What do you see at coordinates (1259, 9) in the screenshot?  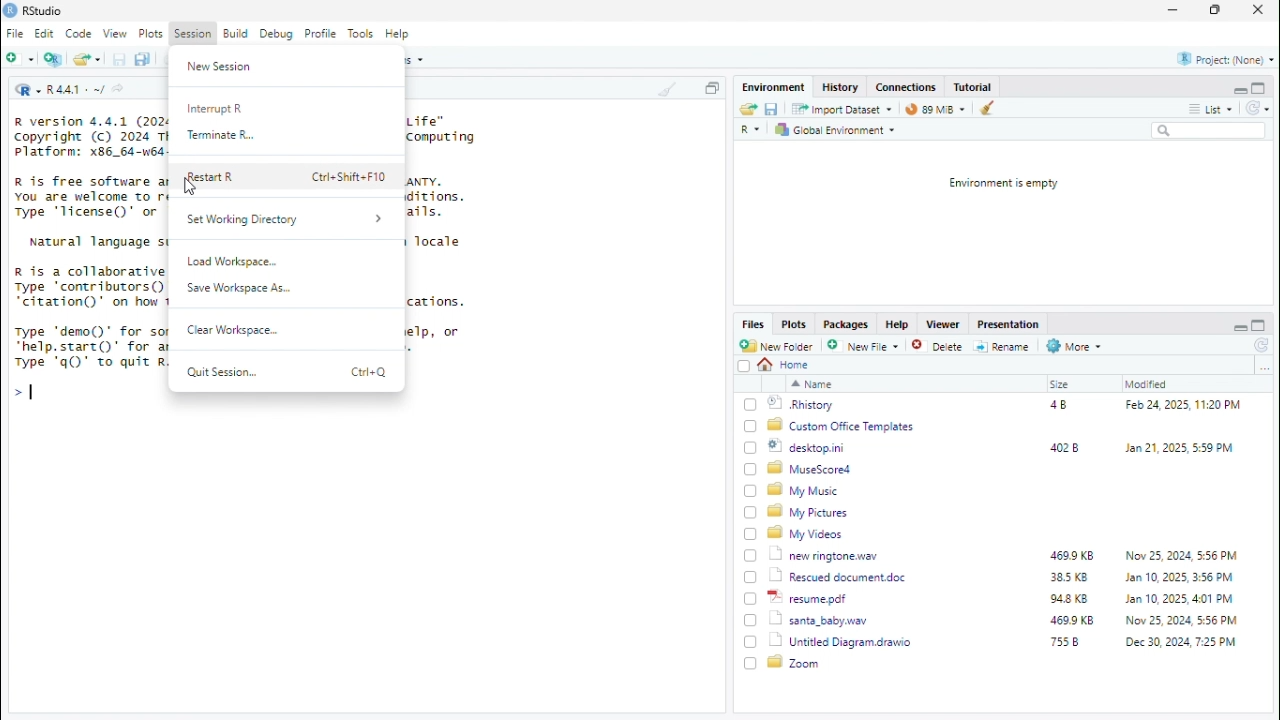 I see `close` at bounding box center [1259, 9].